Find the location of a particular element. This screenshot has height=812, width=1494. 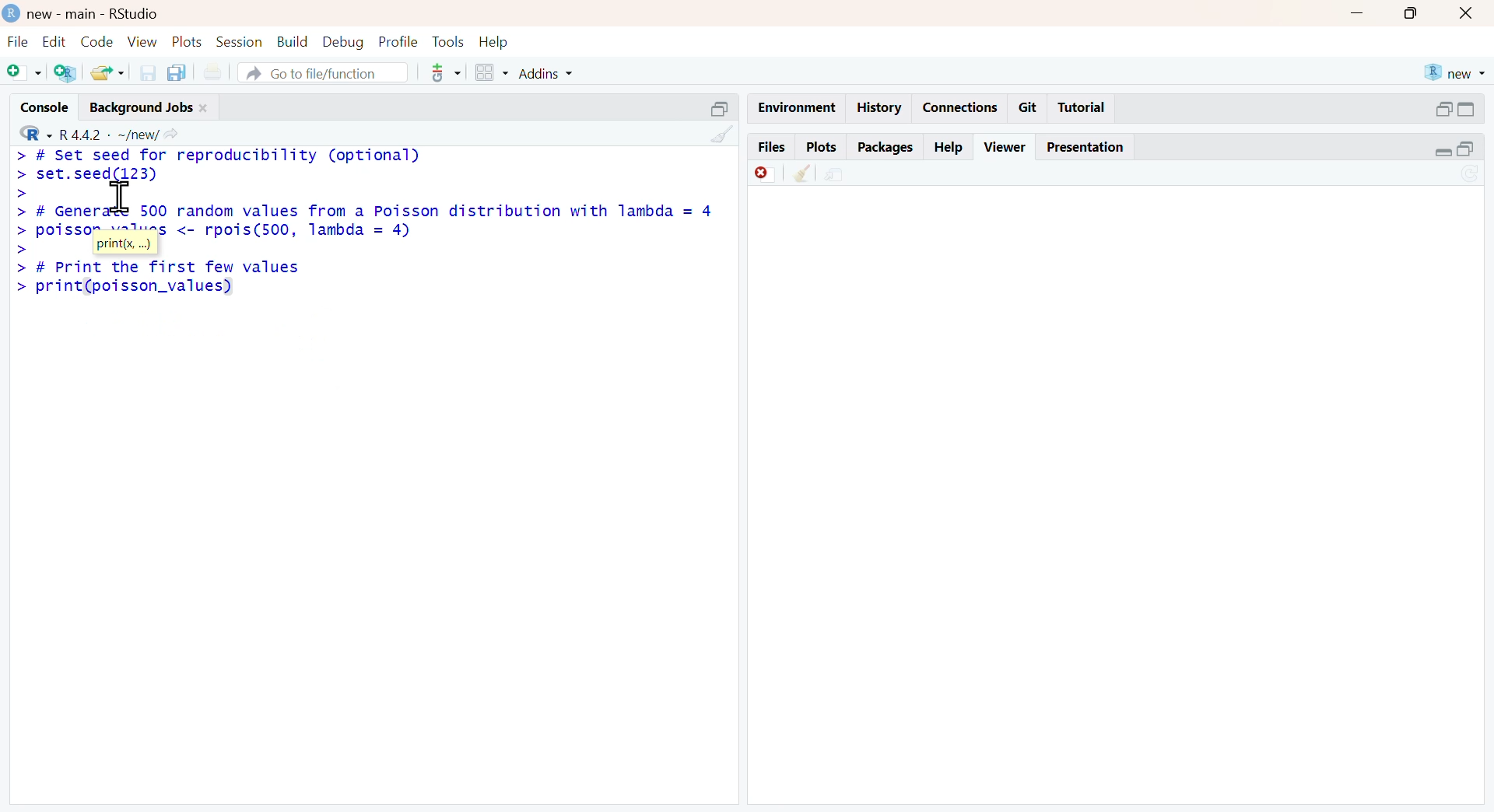

edit is located at coordinates (54, 40).